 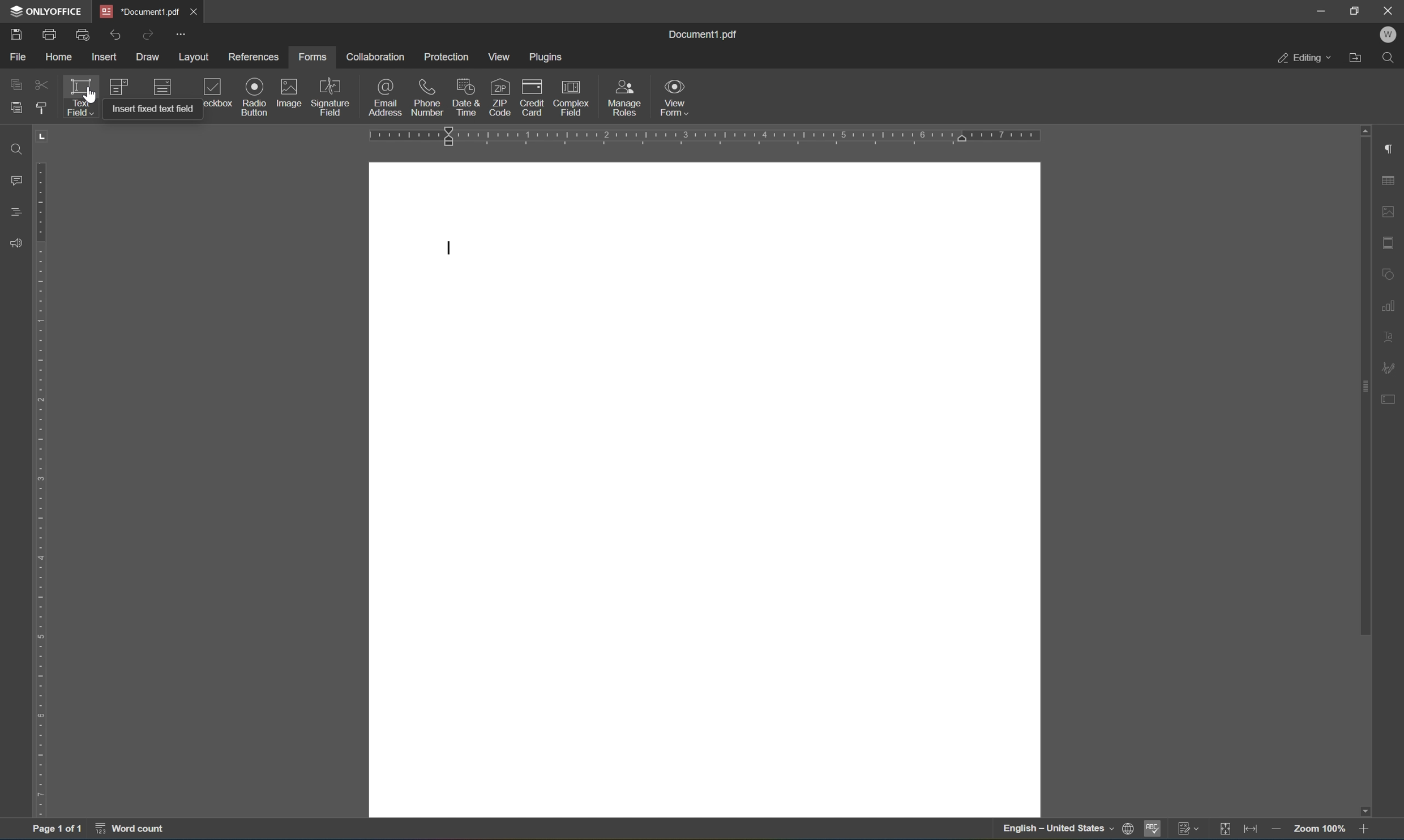 What do you see at coordinates (116, 35) in the screenshot?
I see `undo` at bounding box center [116, 35].